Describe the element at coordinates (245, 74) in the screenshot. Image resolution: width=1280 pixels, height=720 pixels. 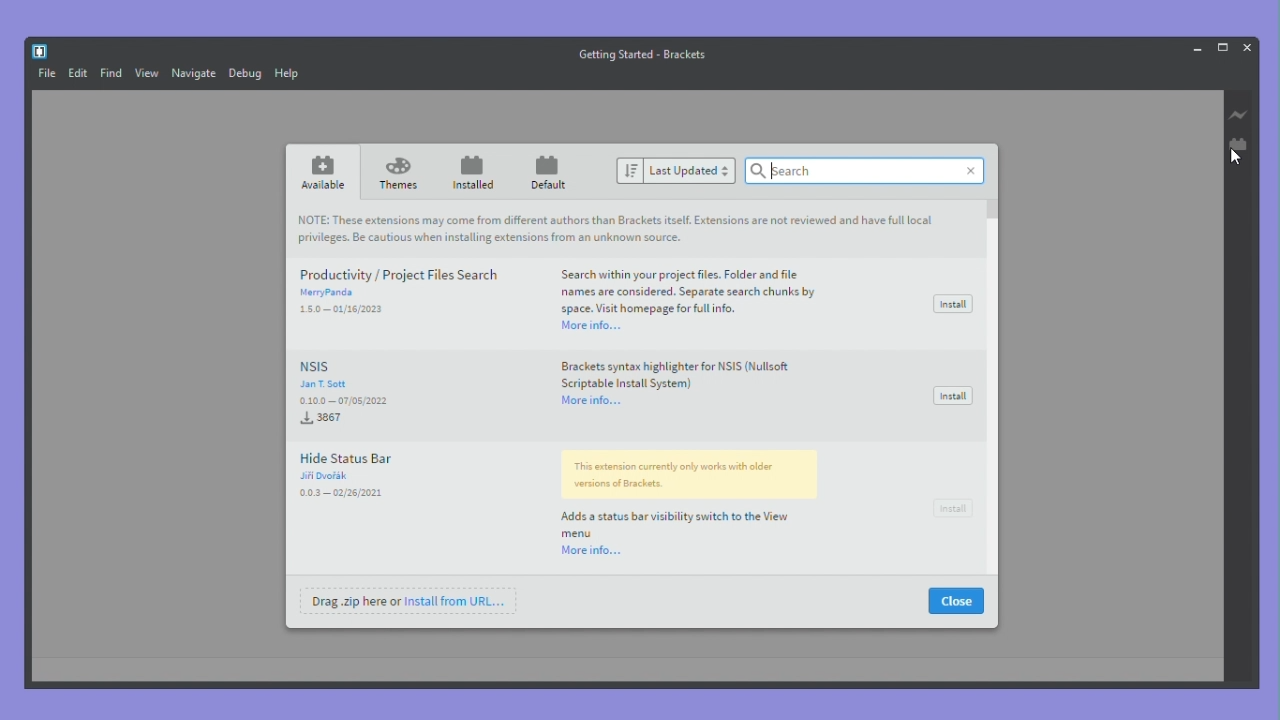
I see `debug` at that location.